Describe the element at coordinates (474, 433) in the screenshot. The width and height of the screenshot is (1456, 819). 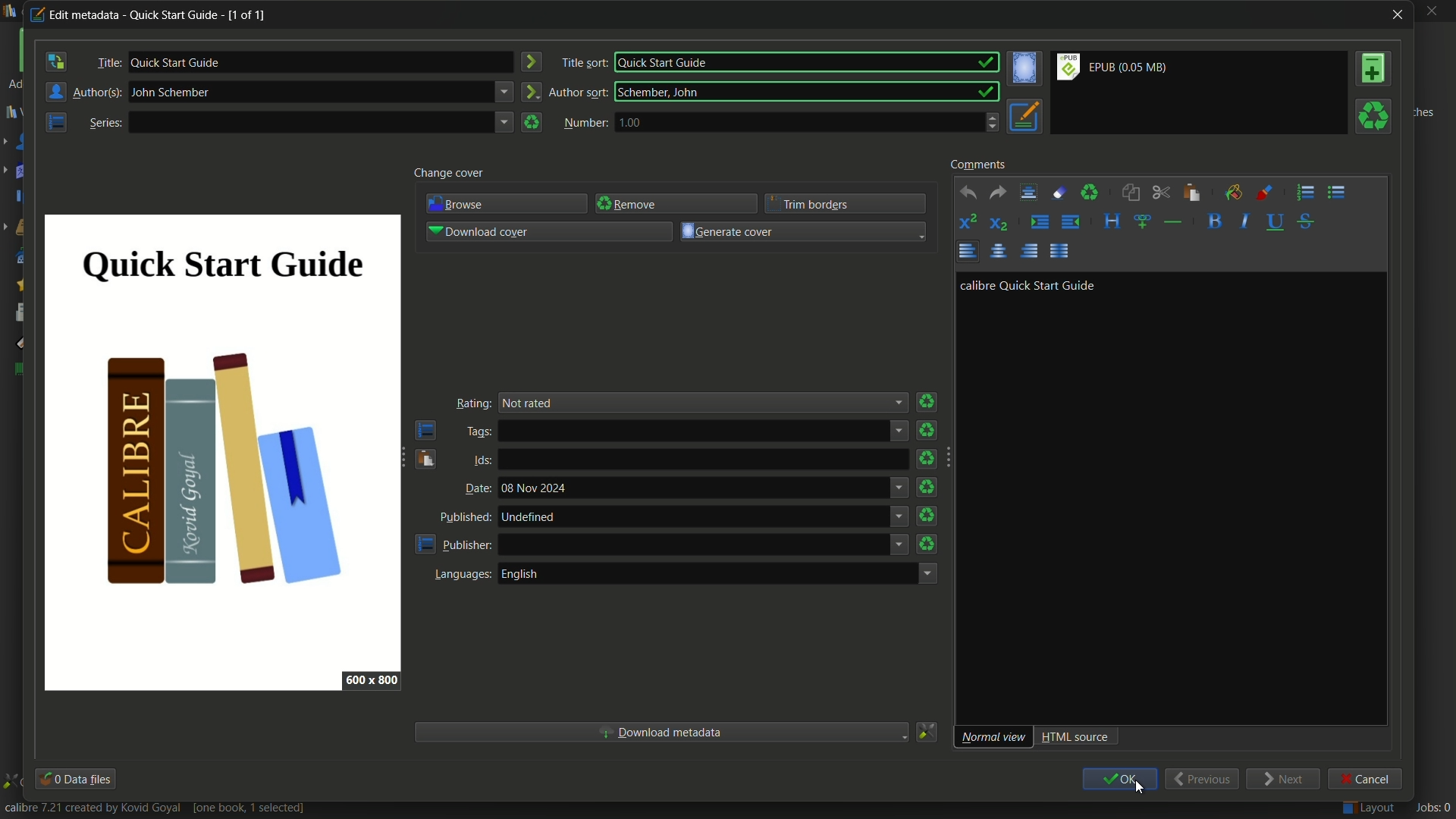
I see `tags` at that location.